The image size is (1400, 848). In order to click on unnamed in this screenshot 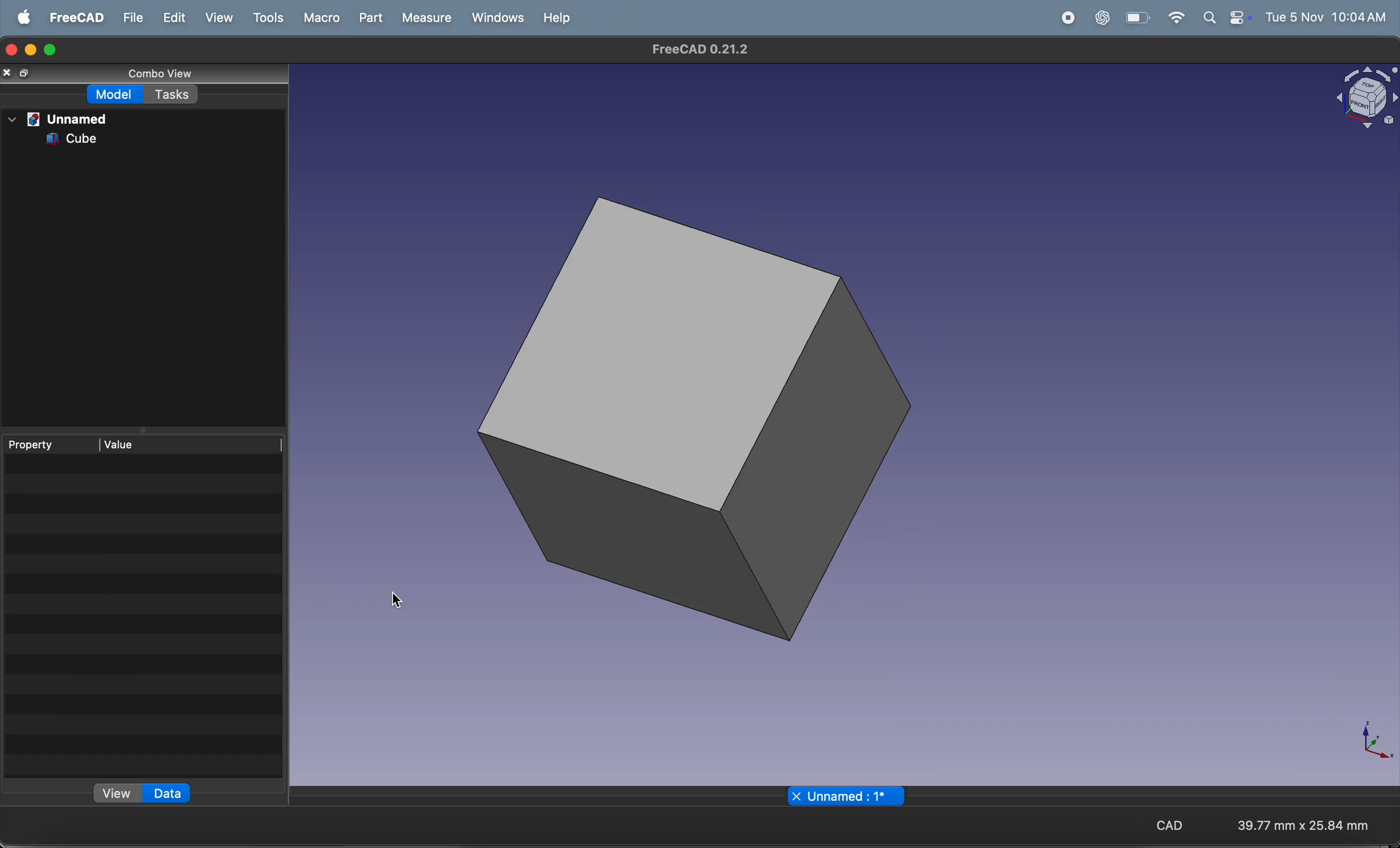, I will do `click(69, 118)`.